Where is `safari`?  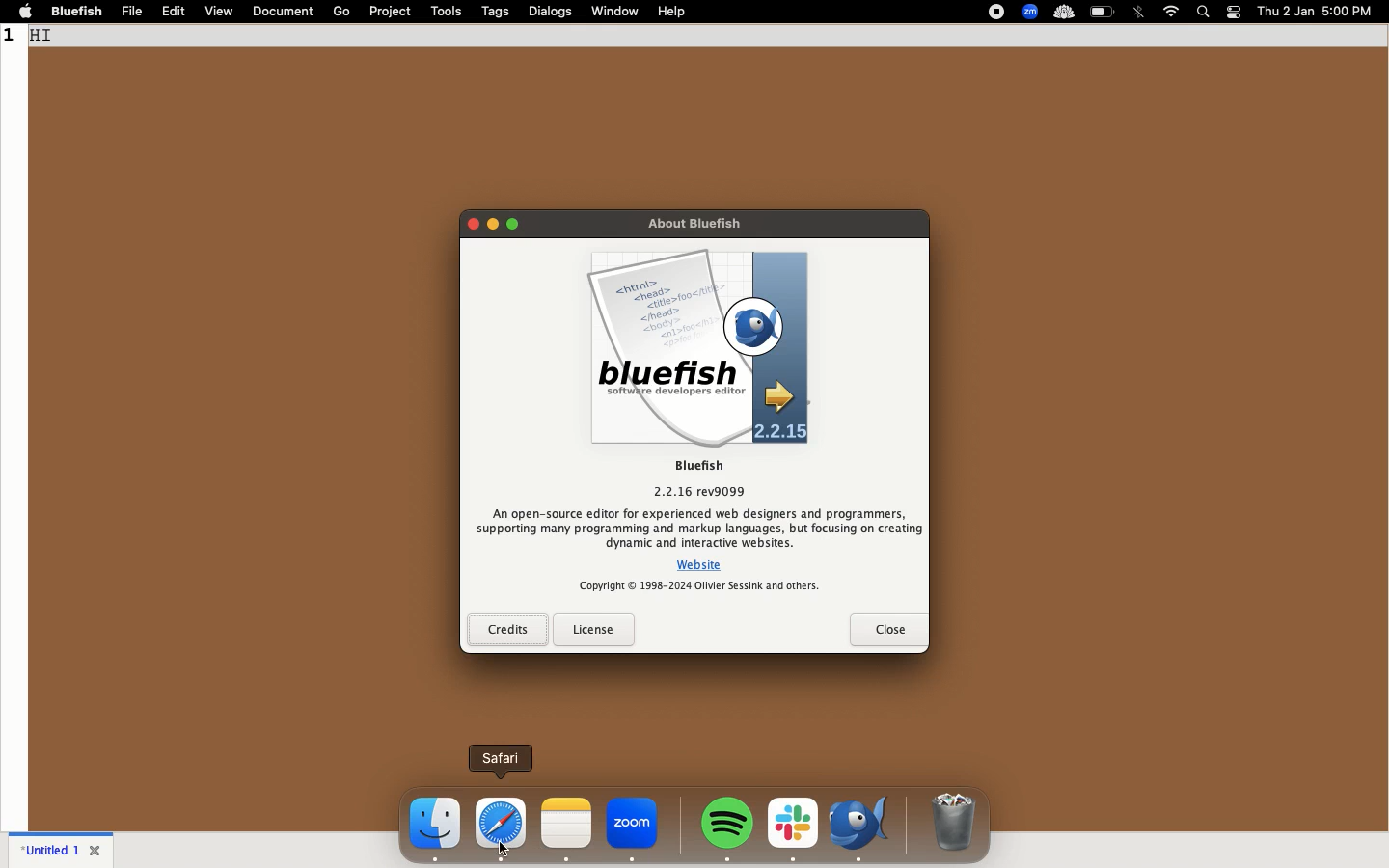 safari is located at coordinates (503, 827).